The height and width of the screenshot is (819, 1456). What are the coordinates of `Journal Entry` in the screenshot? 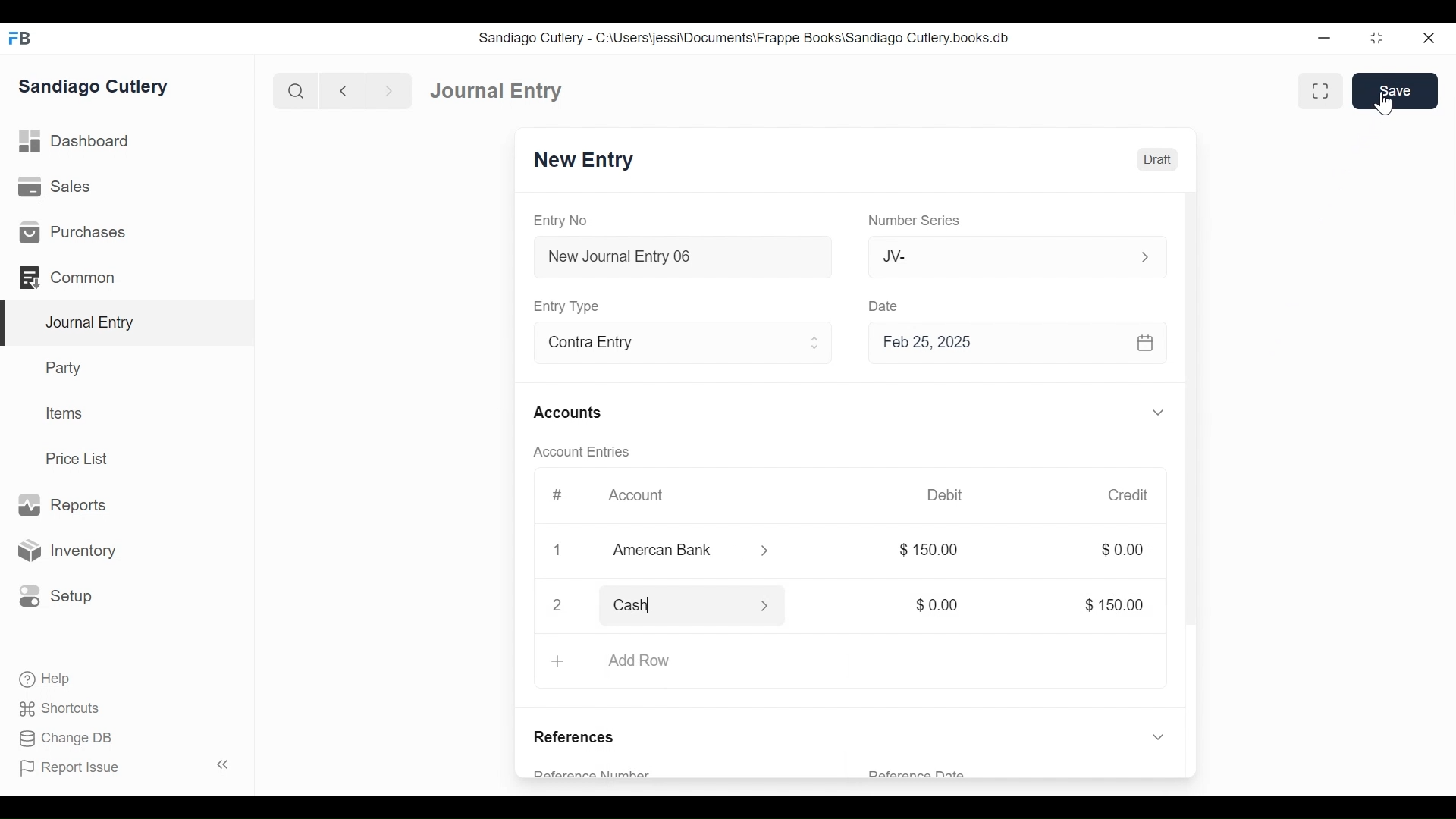 It's located at (128, 324).